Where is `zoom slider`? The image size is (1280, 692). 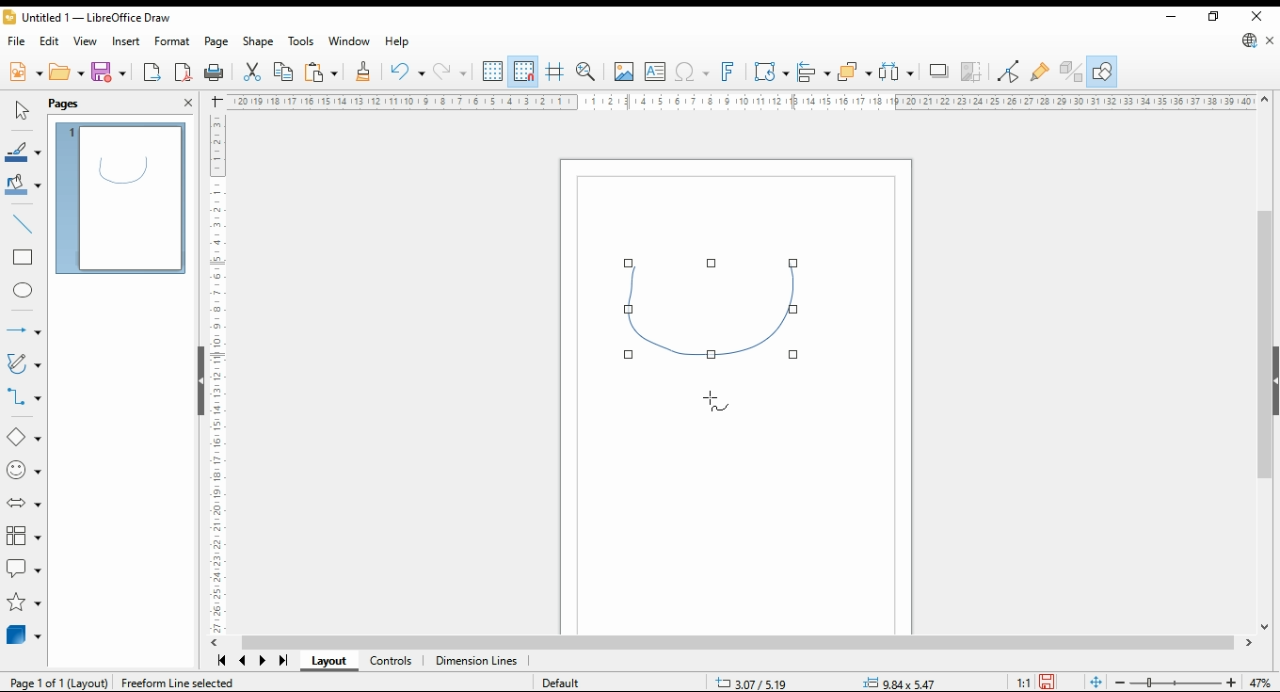
zoom slider is located at coordinates (1174, 682).